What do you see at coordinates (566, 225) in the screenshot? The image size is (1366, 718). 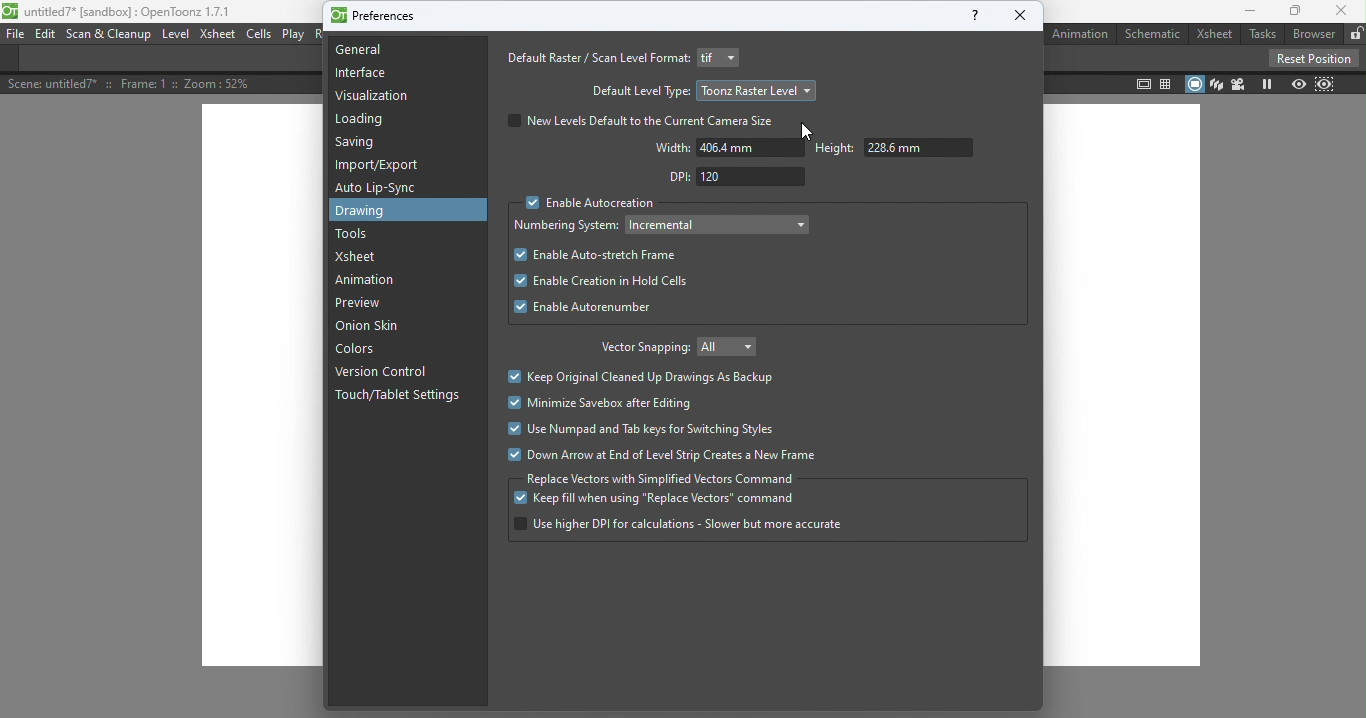 I see `Numbering system` at bounding box center [566, 225].